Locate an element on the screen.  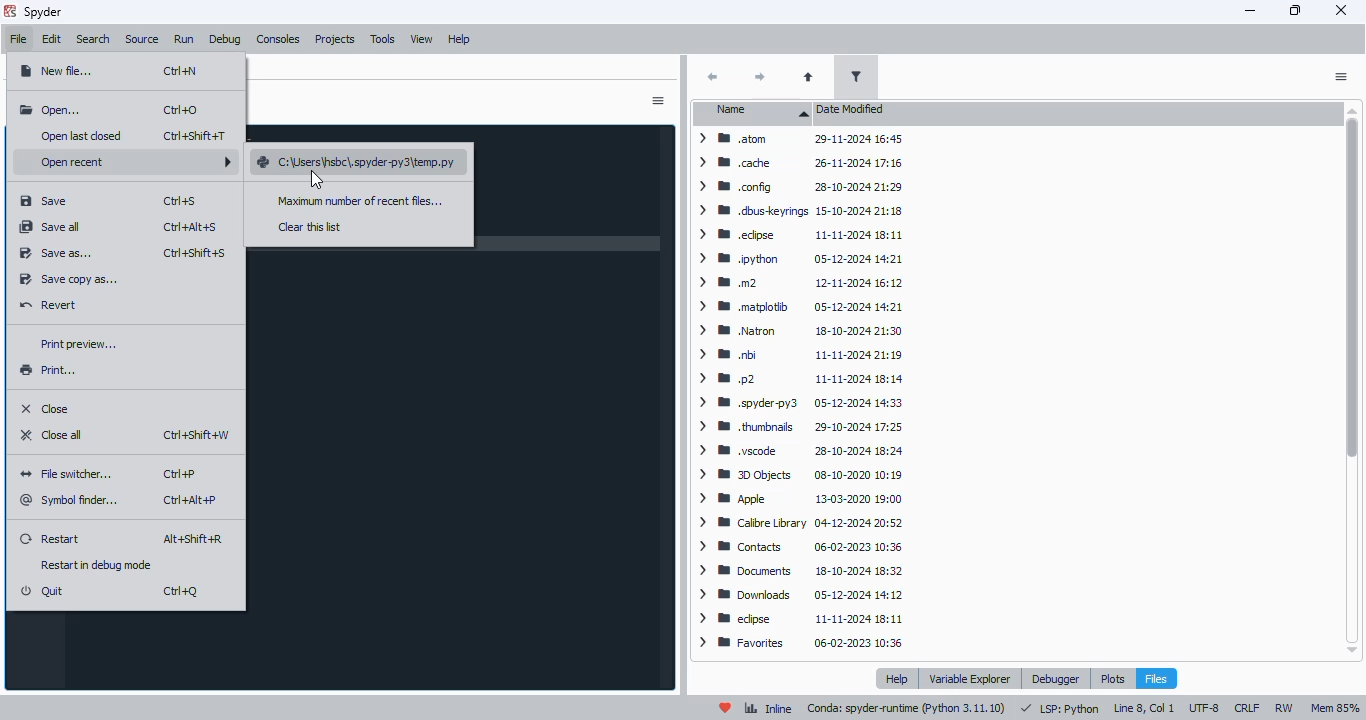
close is located at coordinates (1342, 10).